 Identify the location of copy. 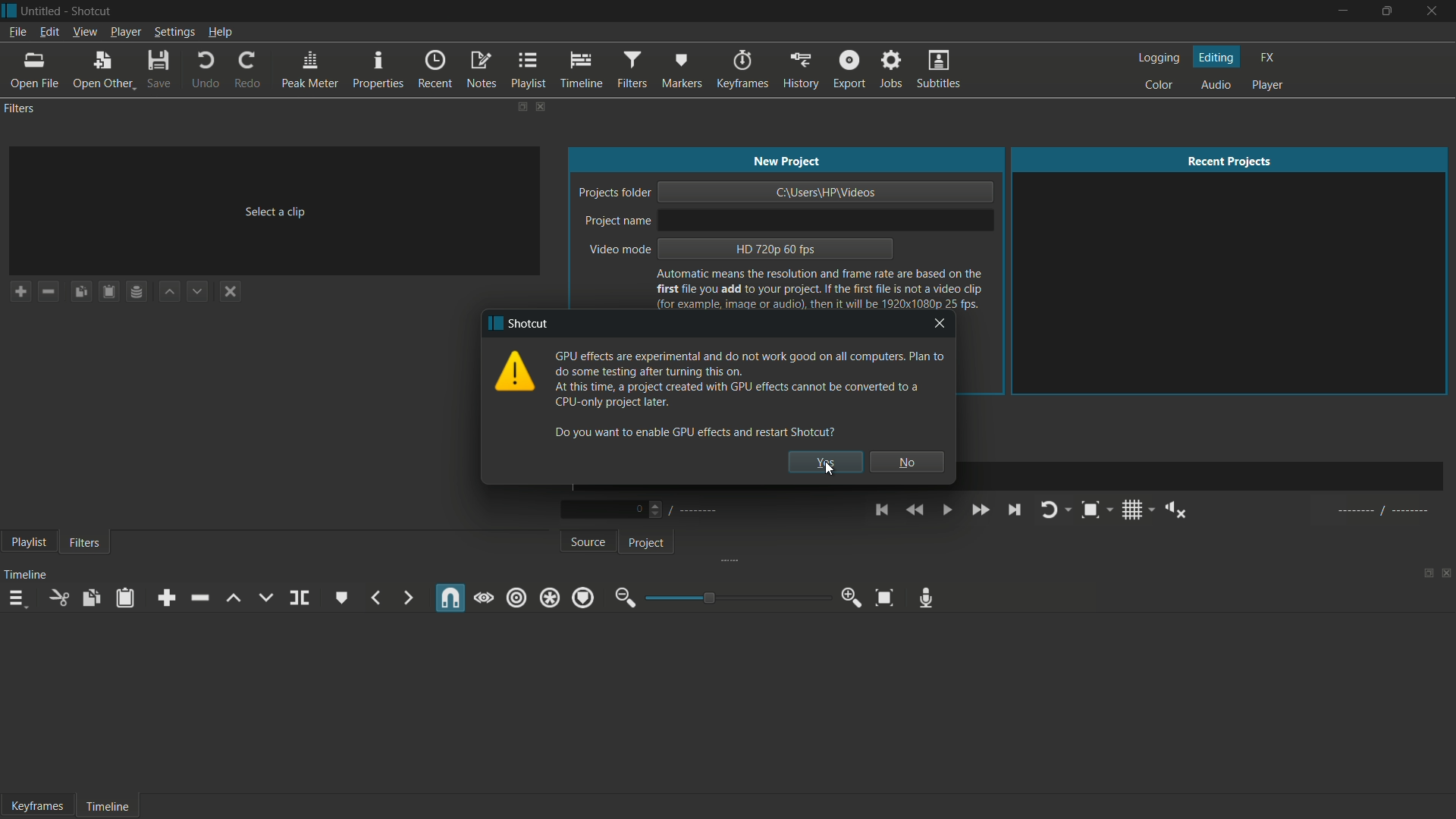
(92, 599).